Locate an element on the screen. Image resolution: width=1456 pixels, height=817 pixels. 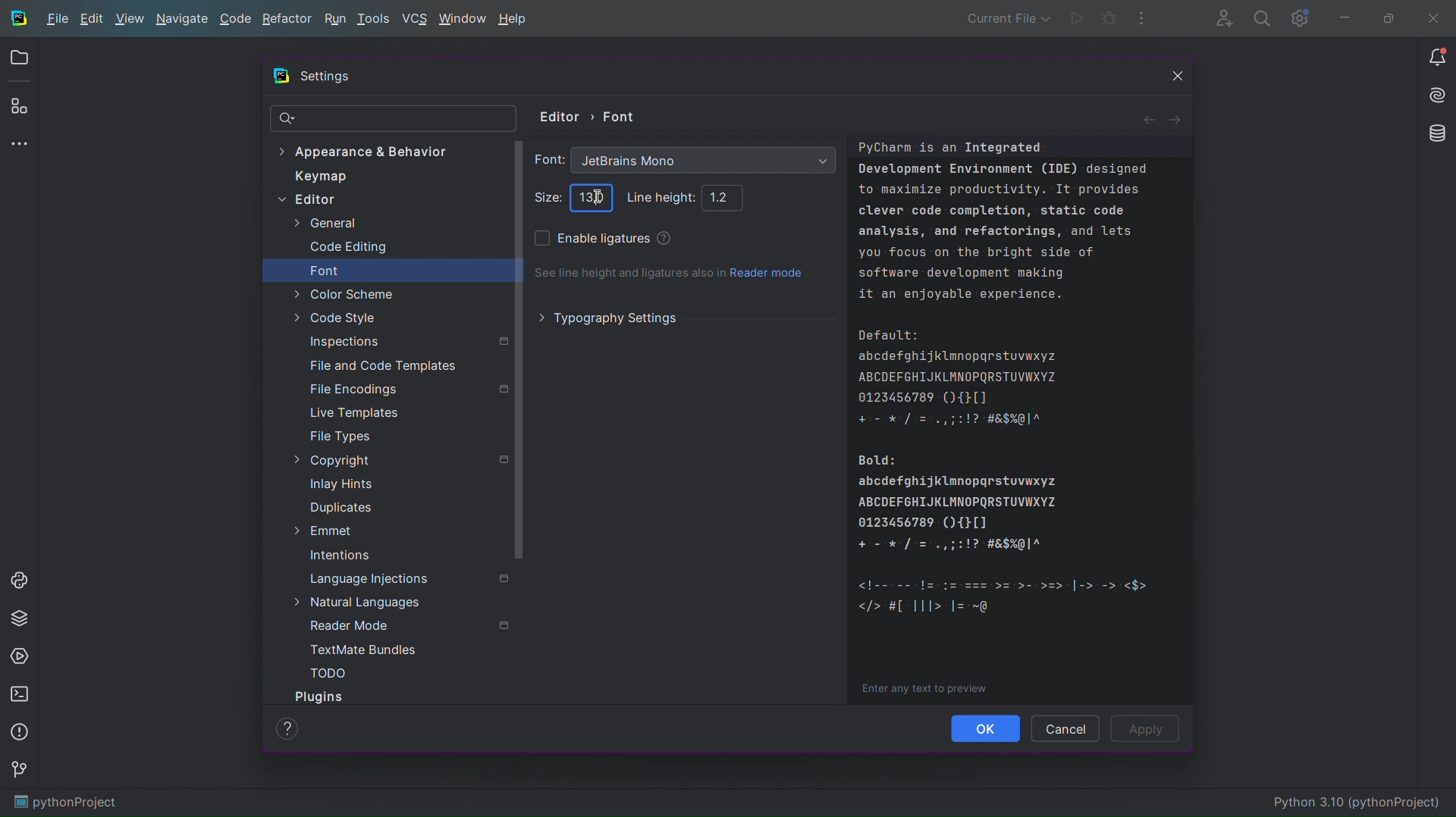
Intentions is located at coordinates (340, 556).